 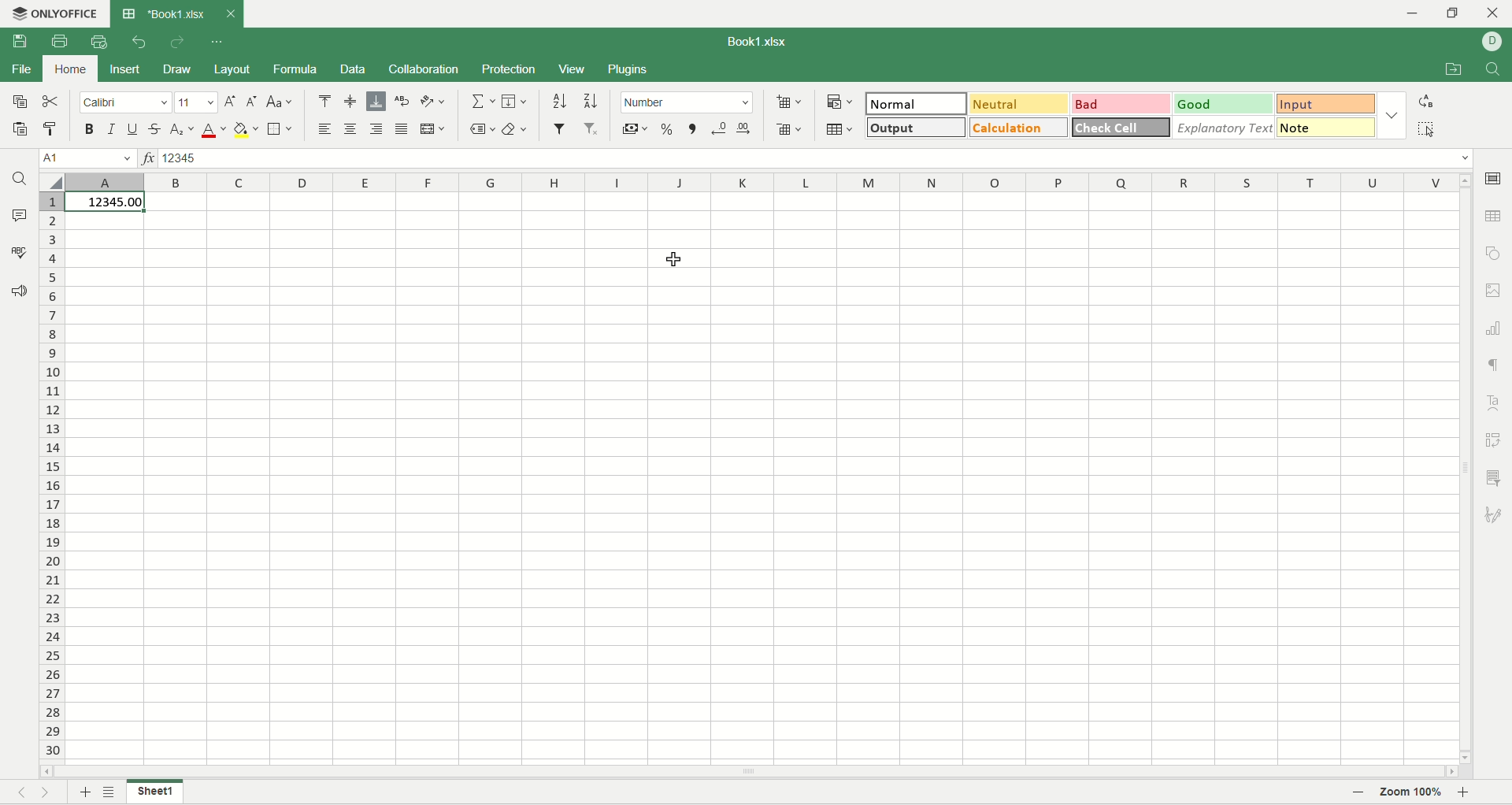 What do you see at coordinates (126, 72) in the screenshot?
I see `insert ` at bounding box center [126, 72].